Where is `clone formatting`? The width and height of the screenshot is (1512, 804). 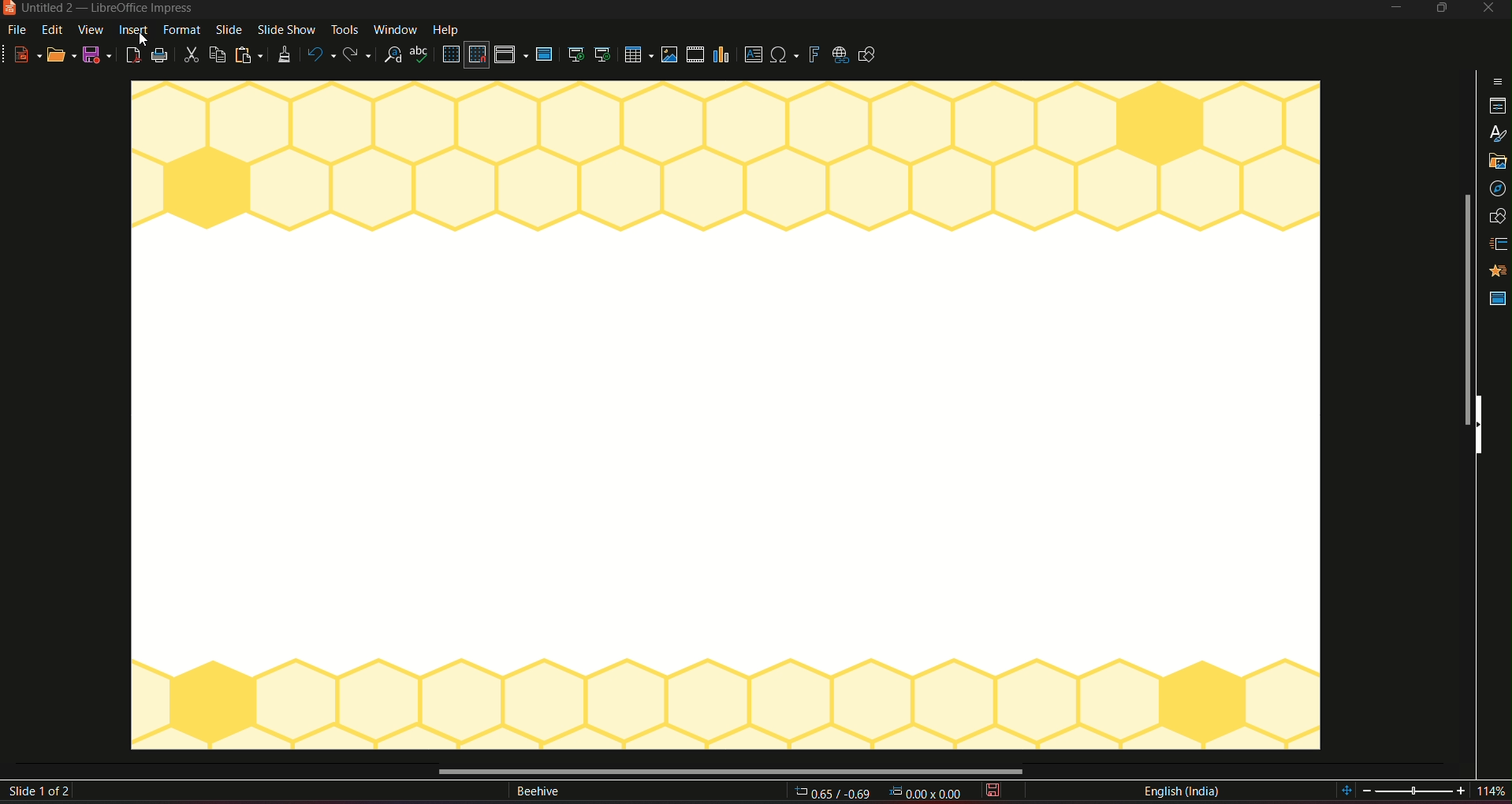 clone formatting is located at coordinates (282, 55).